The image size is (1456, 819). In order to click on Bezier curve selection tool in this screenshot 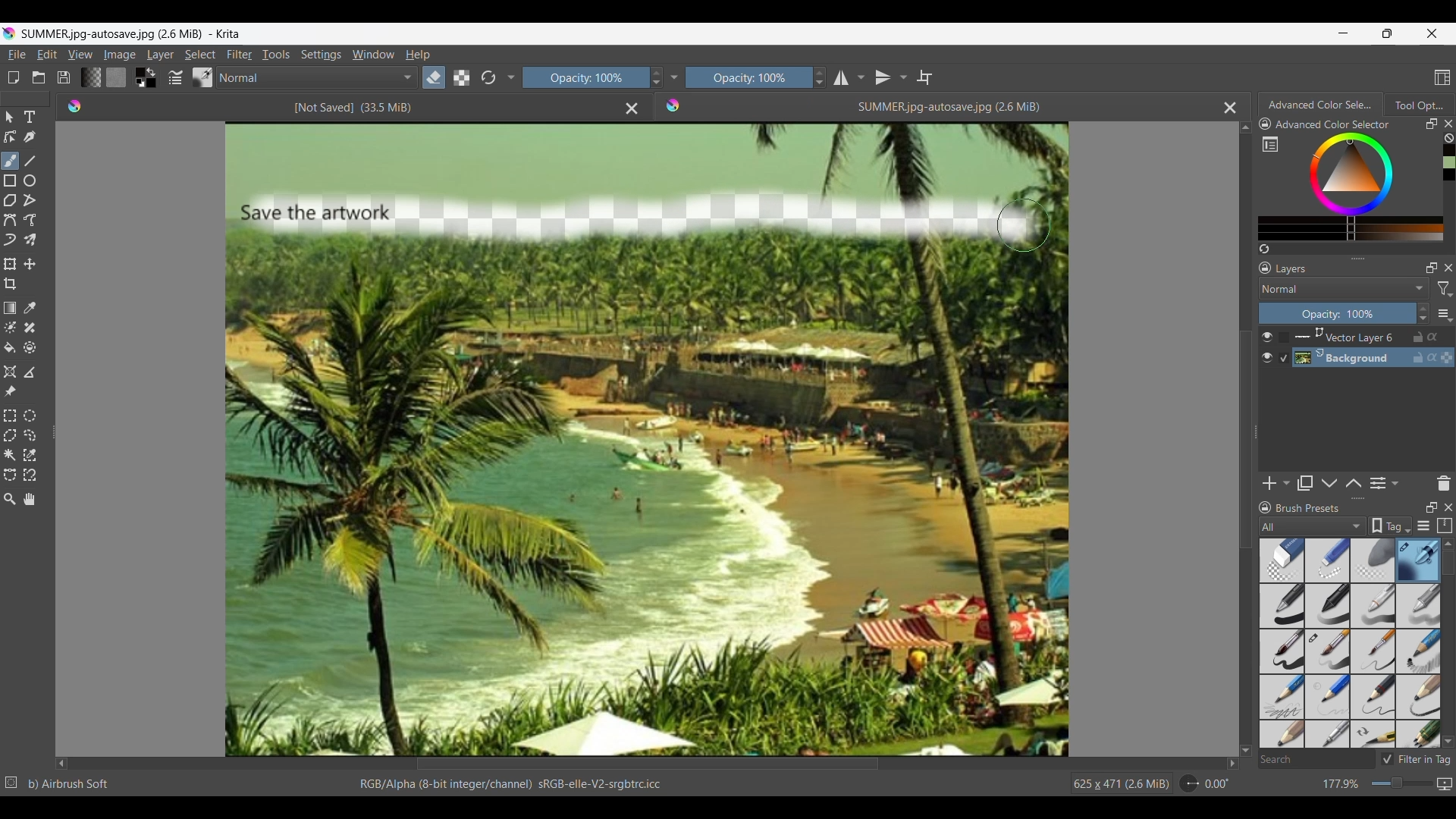, I will do `click(11, 475)`.